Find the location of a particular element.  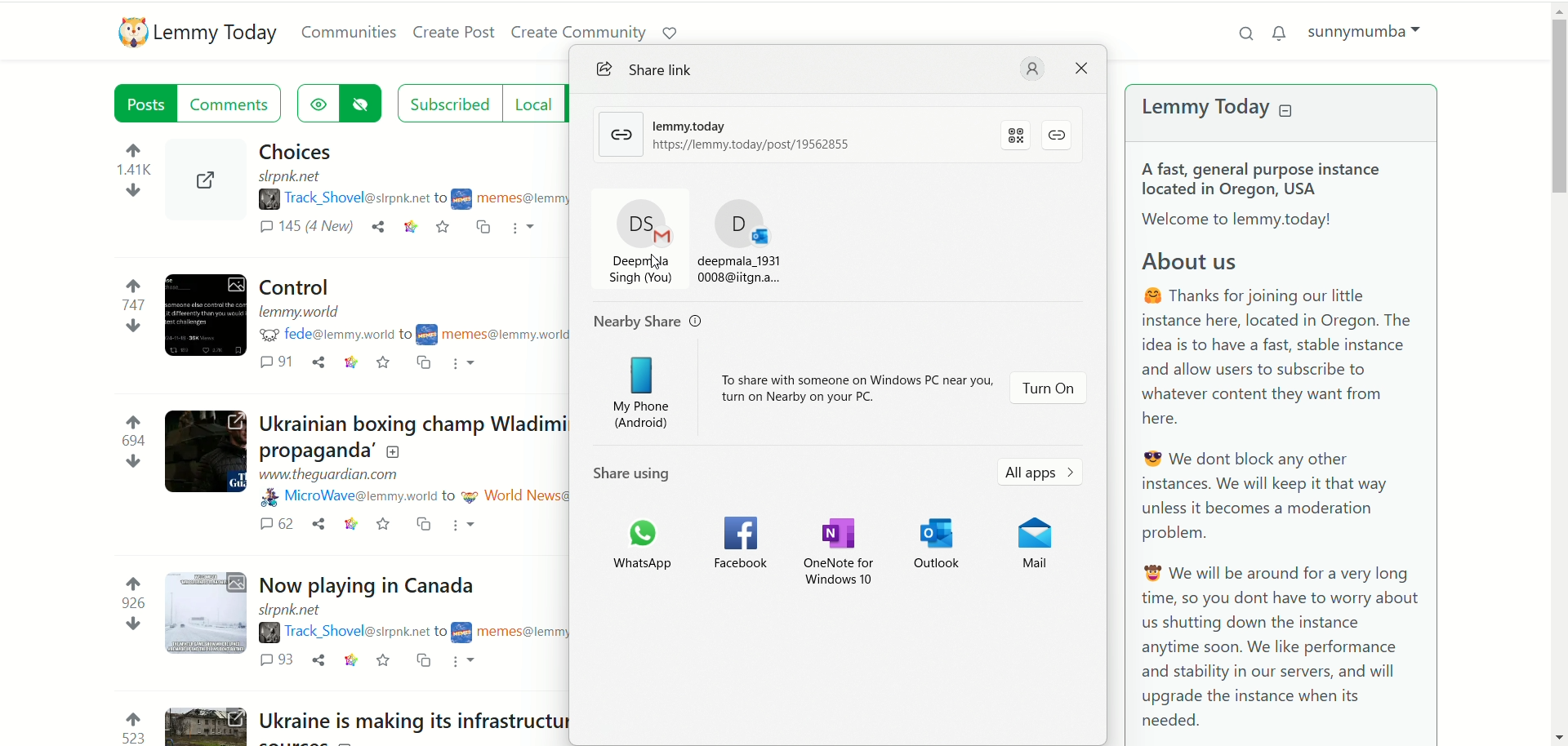

lemmy today hyperlink is located at coordinates (758, 132).